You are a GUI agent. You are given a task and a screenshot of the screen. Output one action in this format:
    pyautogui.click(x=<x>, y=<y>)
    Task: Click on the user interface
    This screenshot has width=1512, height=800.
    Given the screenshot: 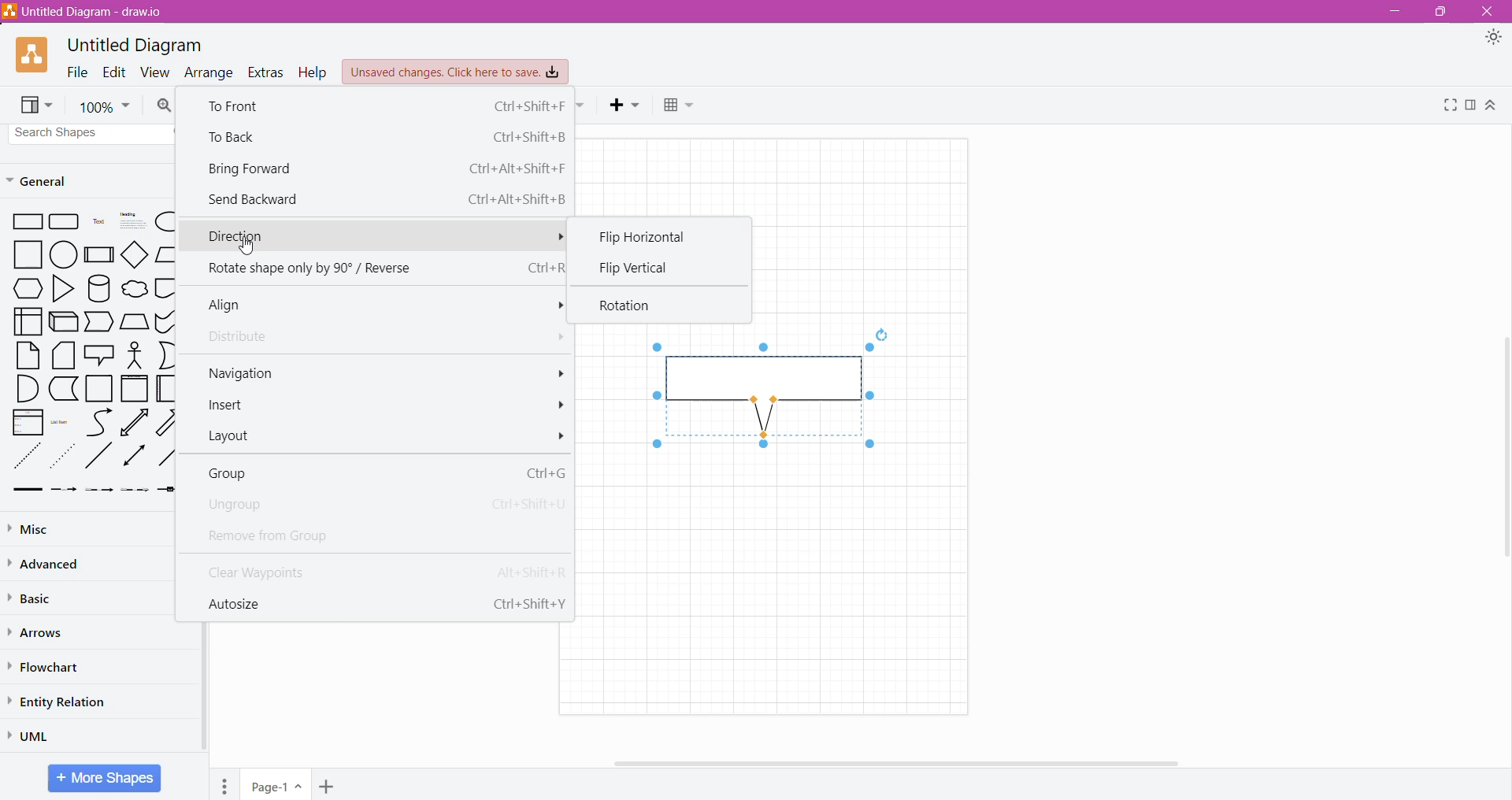 What is the action you would take?
    pyautogui.click(x=28, y=321)
    